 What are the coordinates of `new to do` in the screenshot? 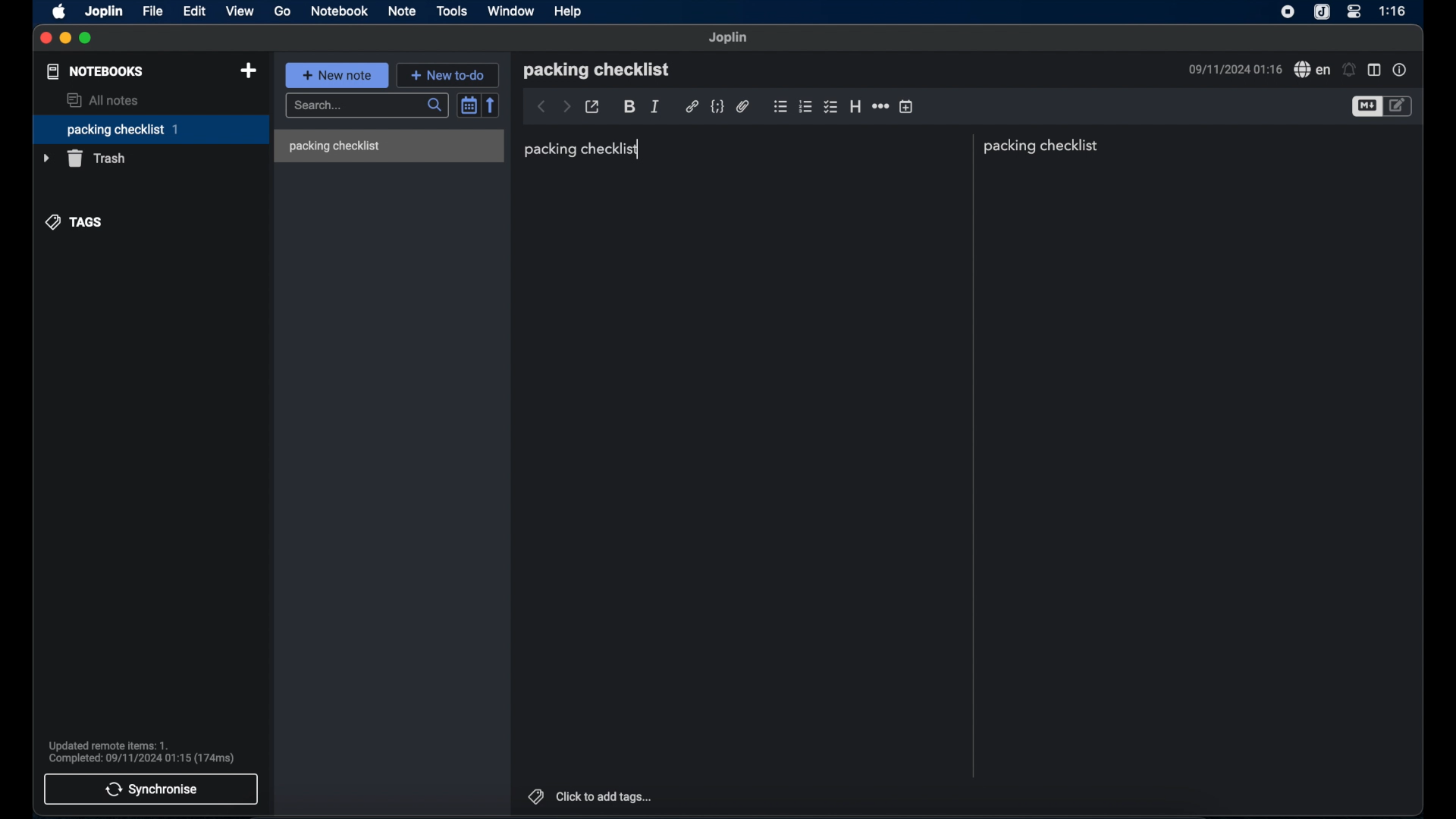 It's located at (448, 74).